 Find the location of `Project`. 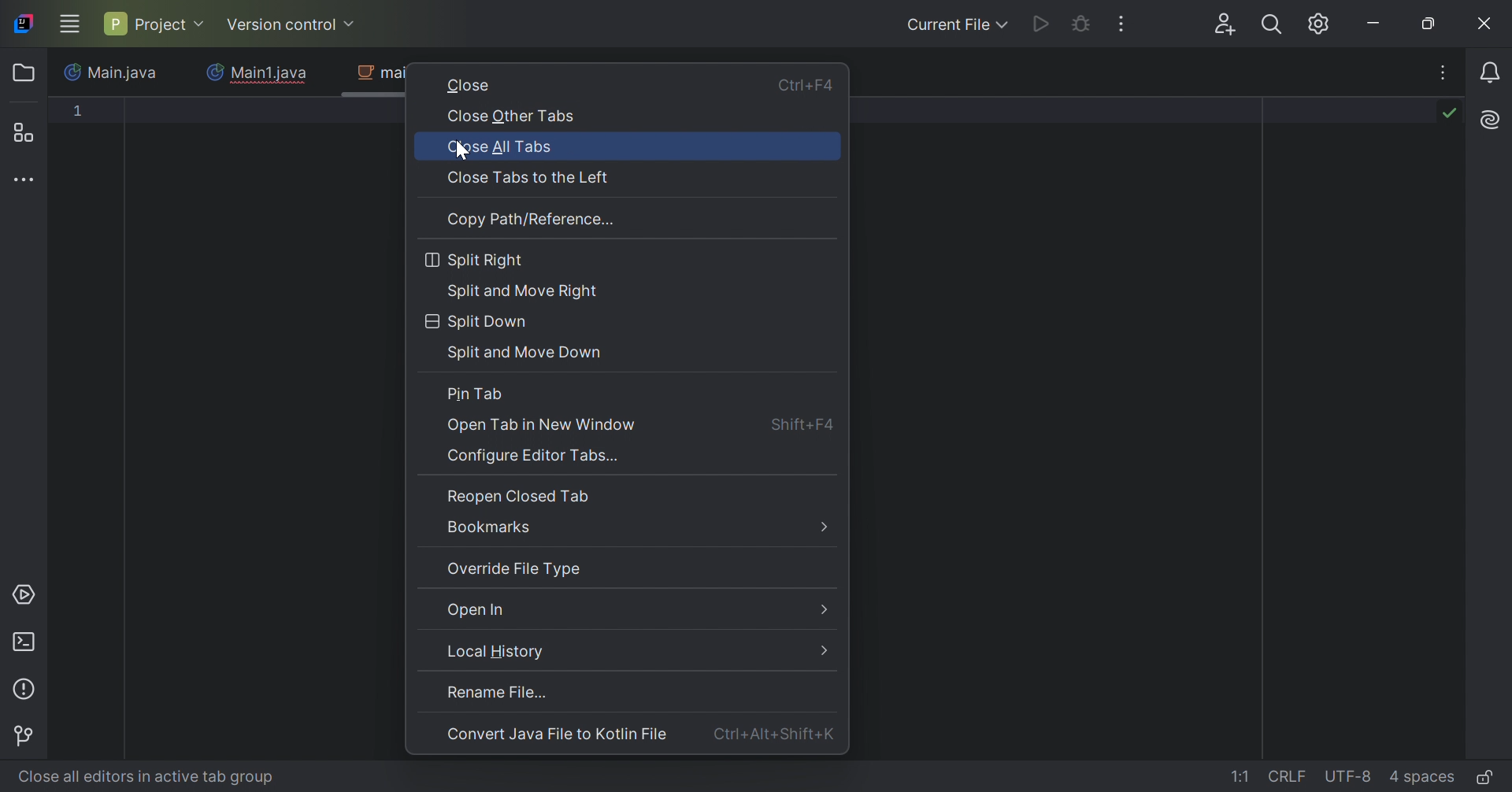

Project is located at coordinates (154, 23).